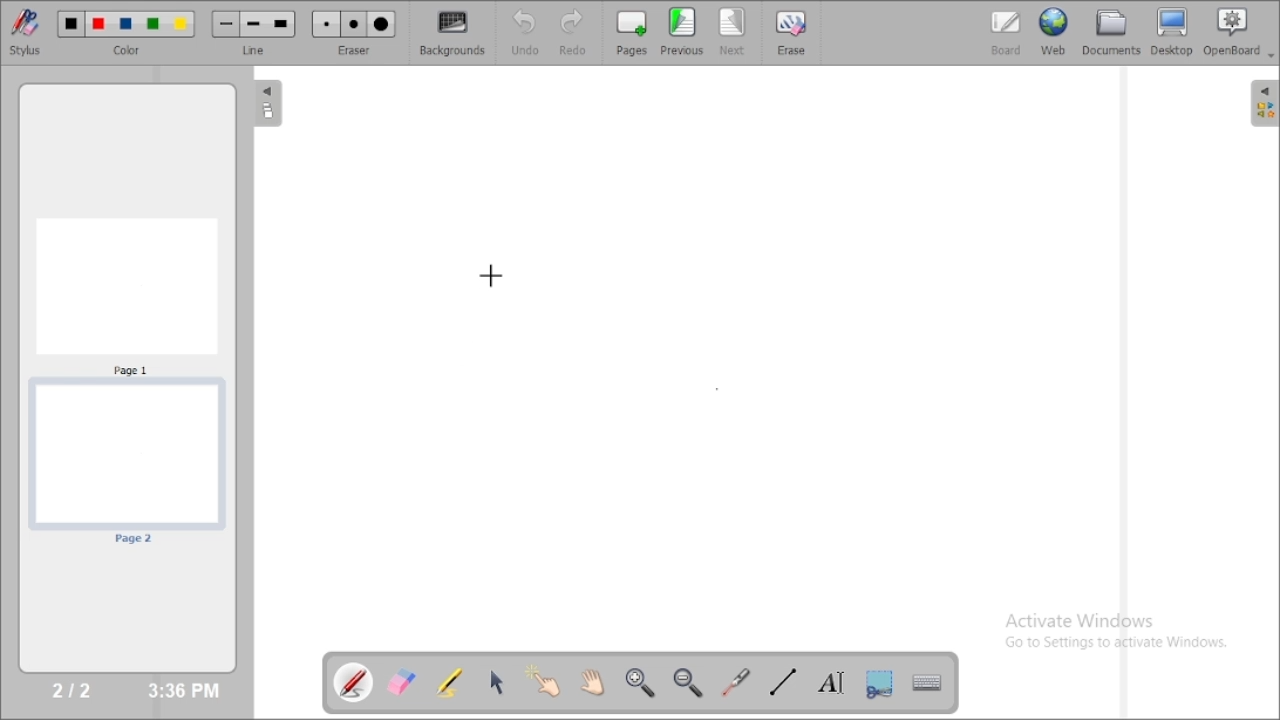 The image size is (1280, 720). I want to click on Medium eraser, so click(354, 25).